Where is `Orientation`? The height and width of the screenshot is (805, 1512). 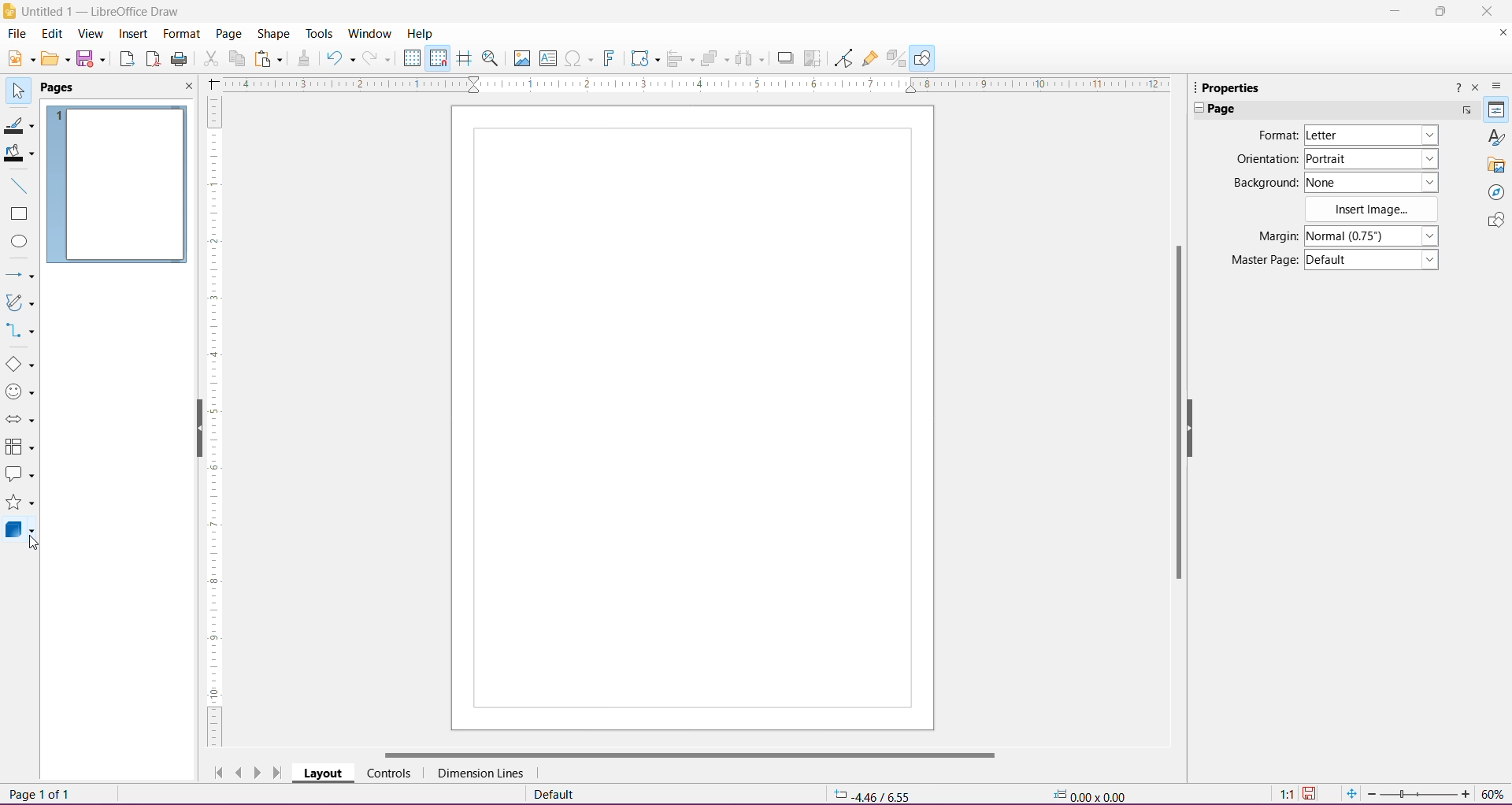
Orientation is located at coordinates (1266, 161).